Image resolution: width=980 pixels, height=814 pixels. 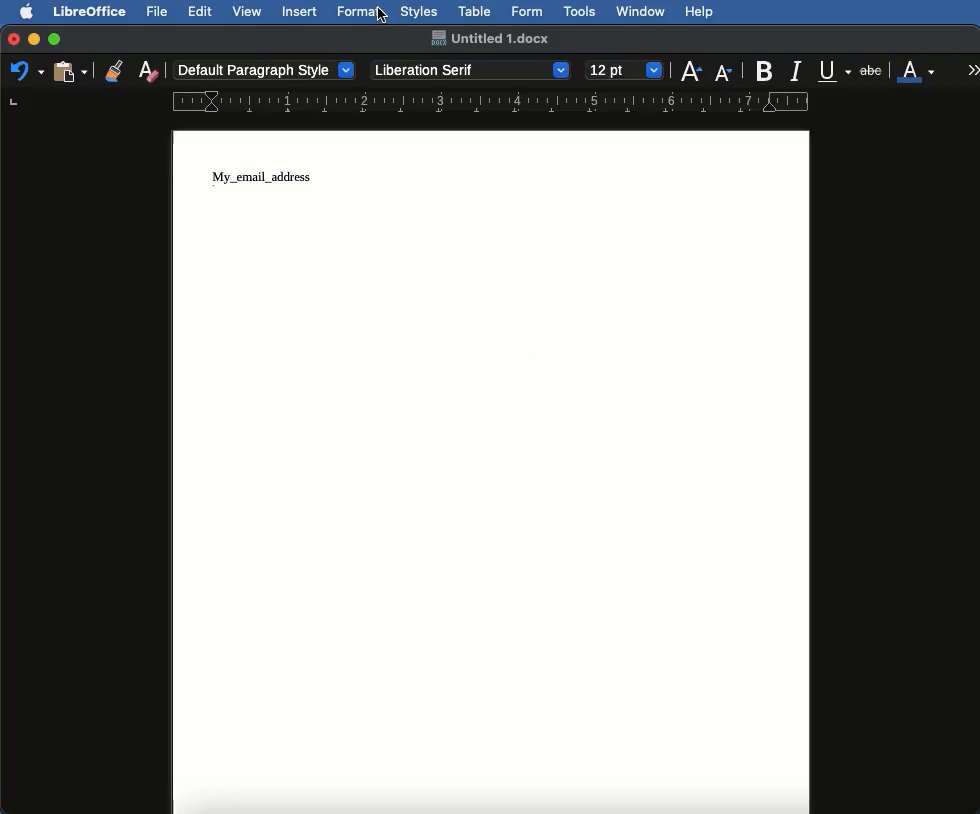 I want to click on Italics, so click(x=799, y=69).